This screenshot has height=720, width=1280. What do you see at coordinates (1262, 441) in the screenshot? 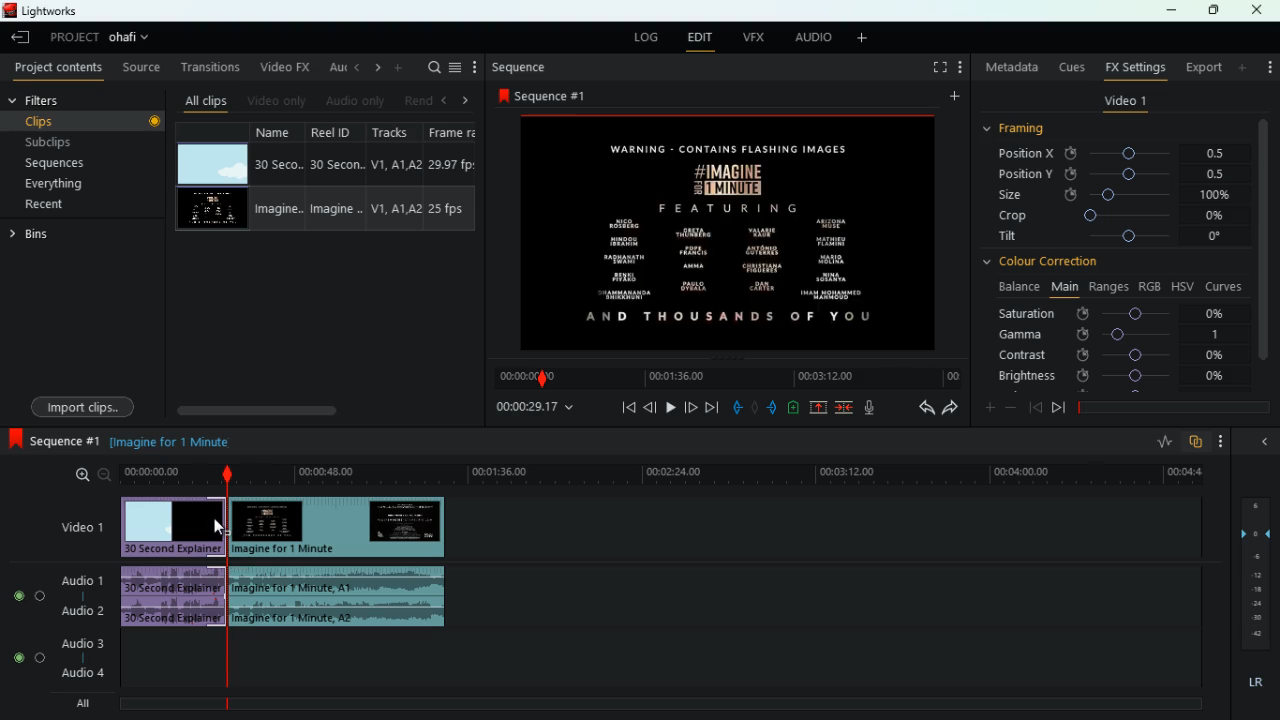
I see `back` at bounding box center [1262, 441].